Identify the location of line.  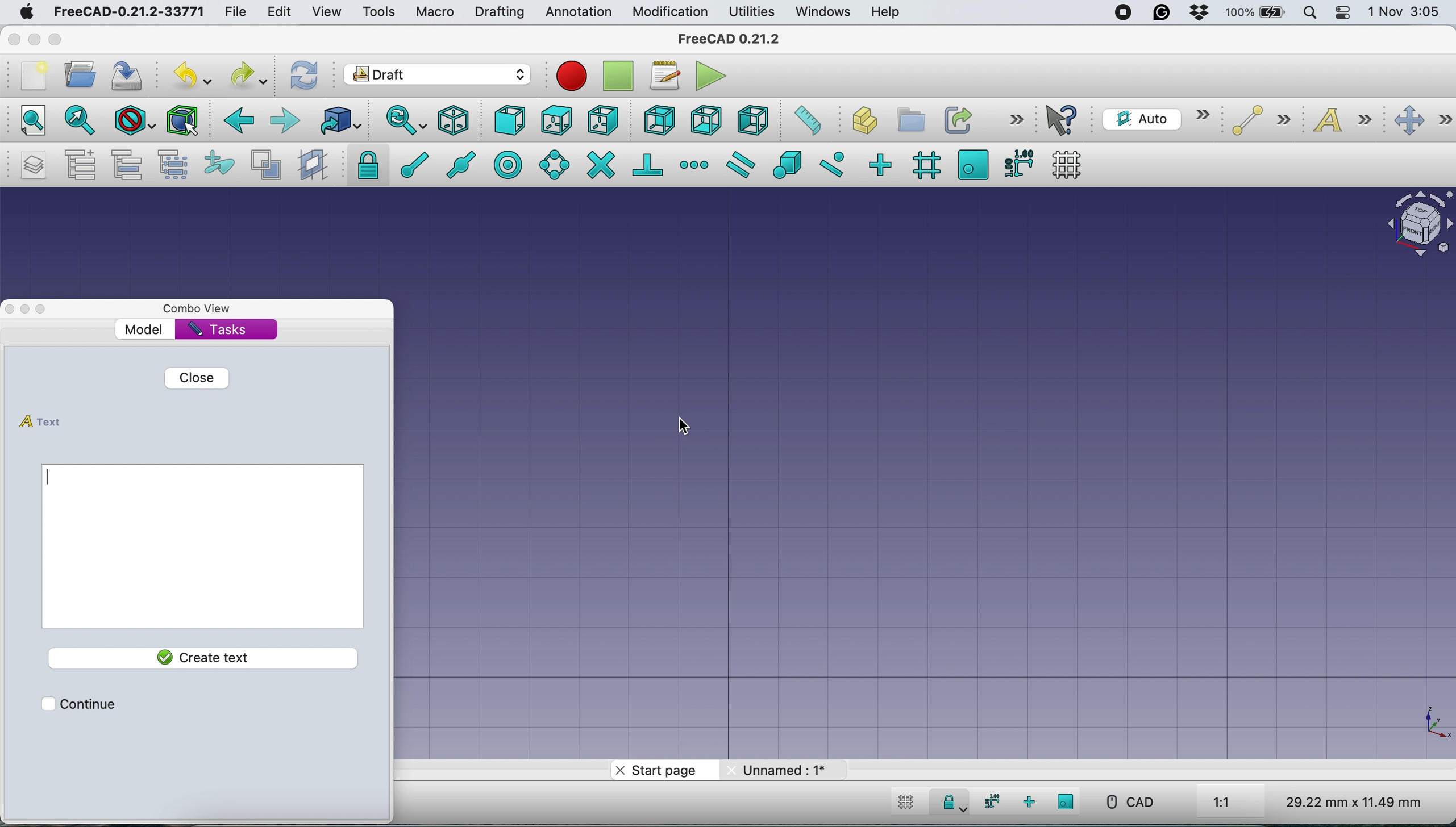
(1258, 120).